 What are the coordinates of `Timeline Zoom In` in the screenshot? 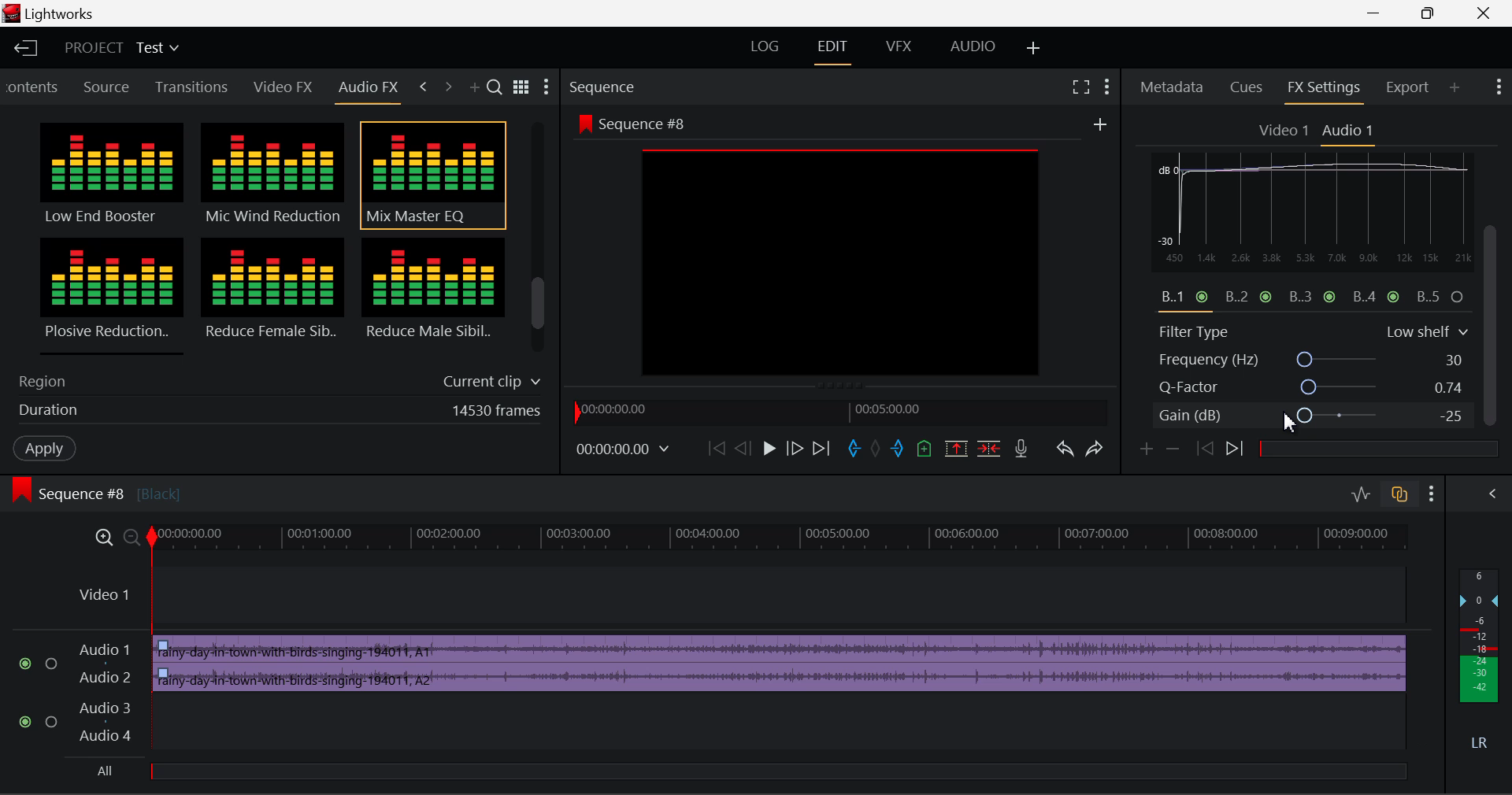 It's located at (106, 538).